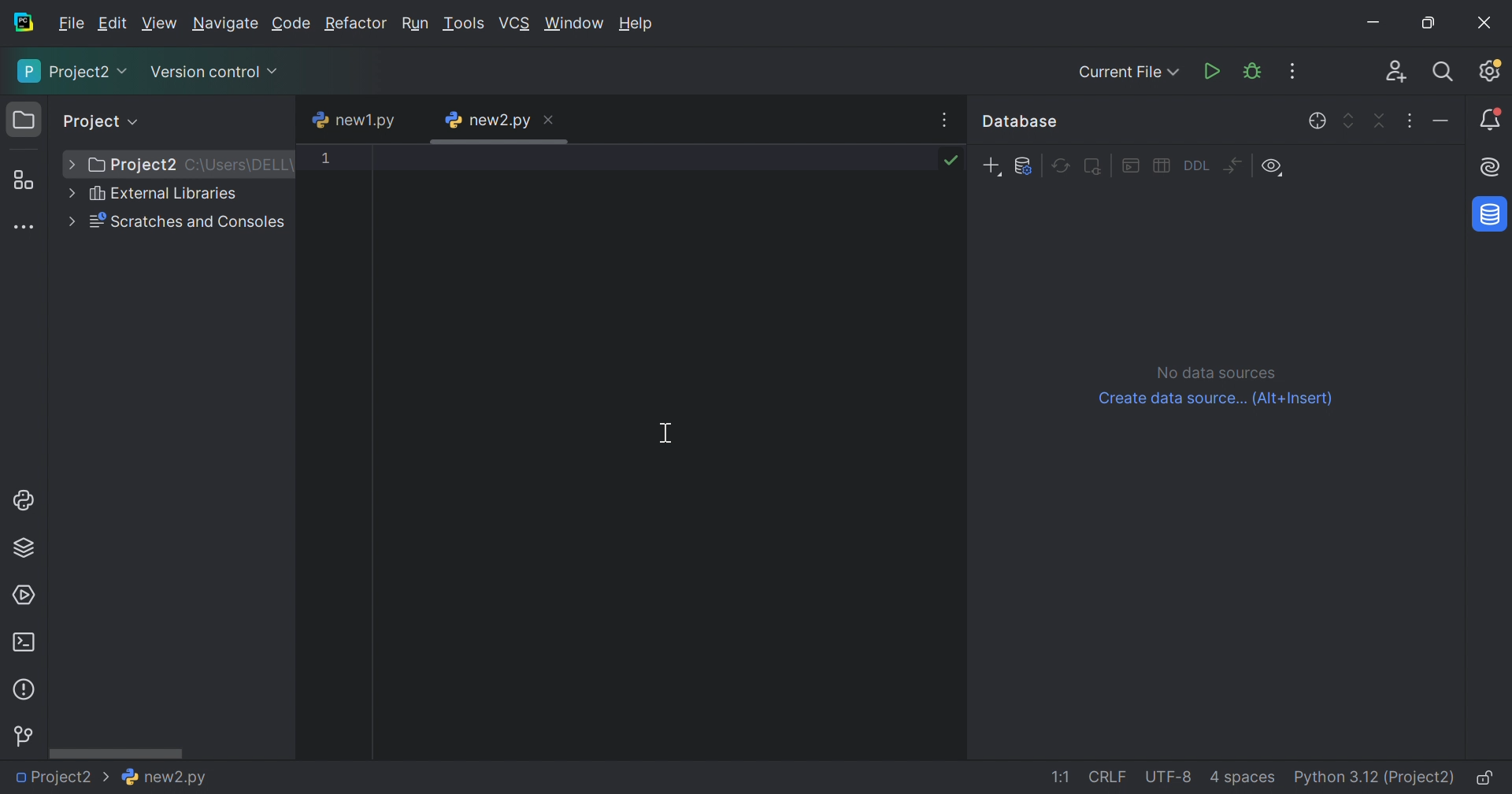 The image size is (1512, 794). What do you see at coordinates (1351, 123) in the screenshot?
I see `Expand all` at bounding box center [1351, 123].